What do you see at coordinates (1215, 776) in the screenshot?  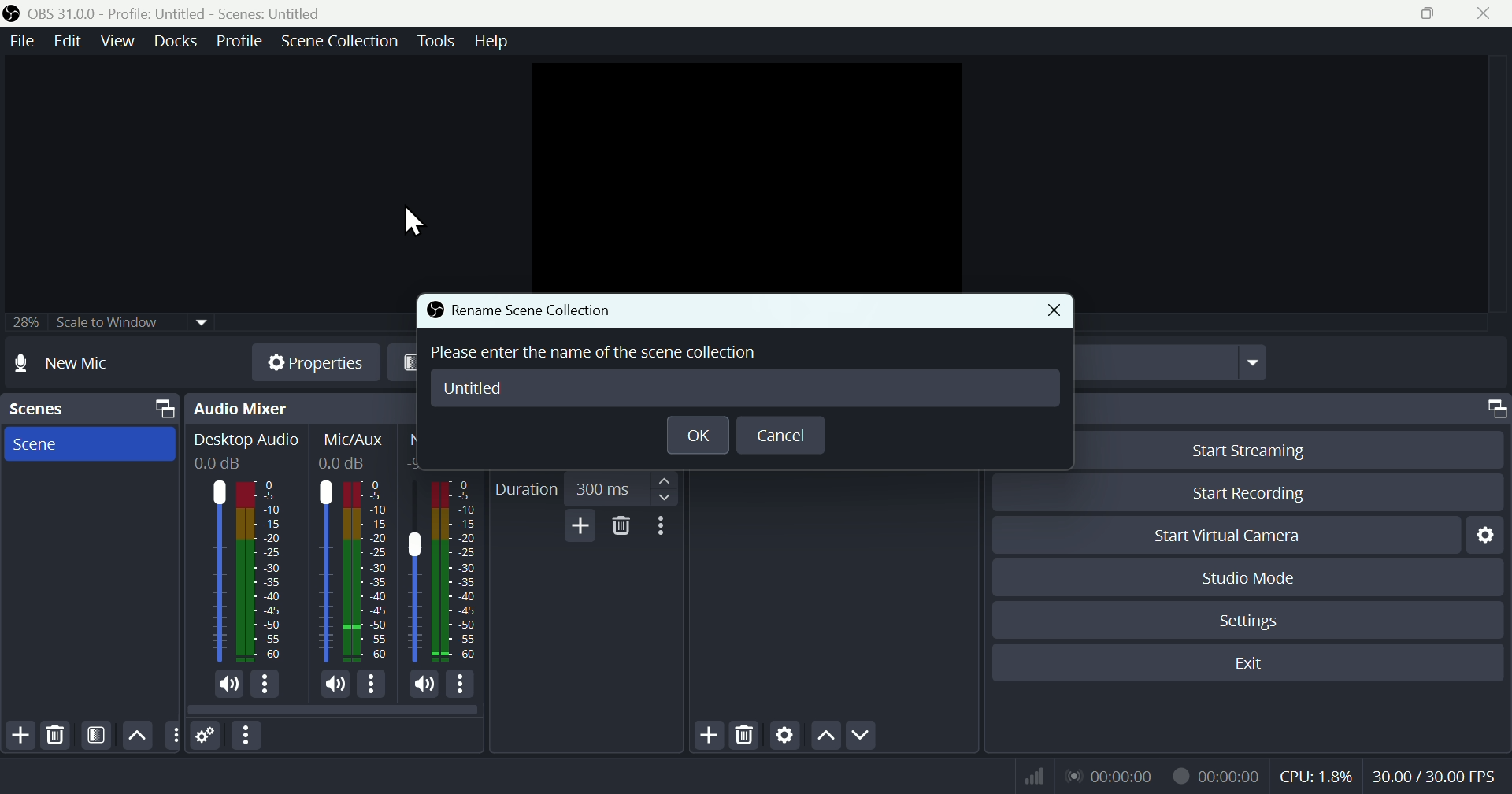 I see `Recording Status` at bounding box center [1215, 776].